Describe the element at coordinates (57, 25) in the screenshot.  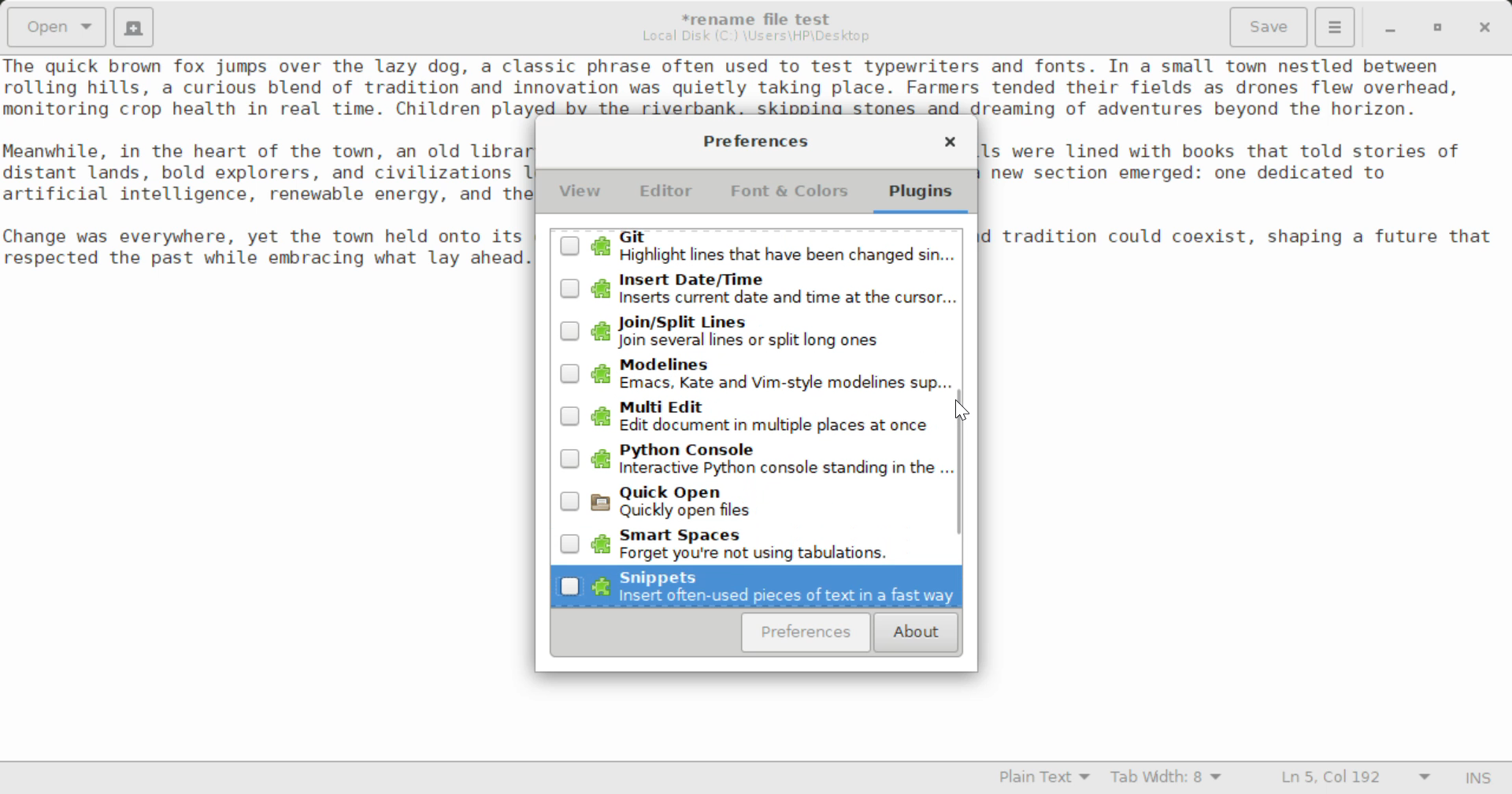
I see `Open Document` at that location.